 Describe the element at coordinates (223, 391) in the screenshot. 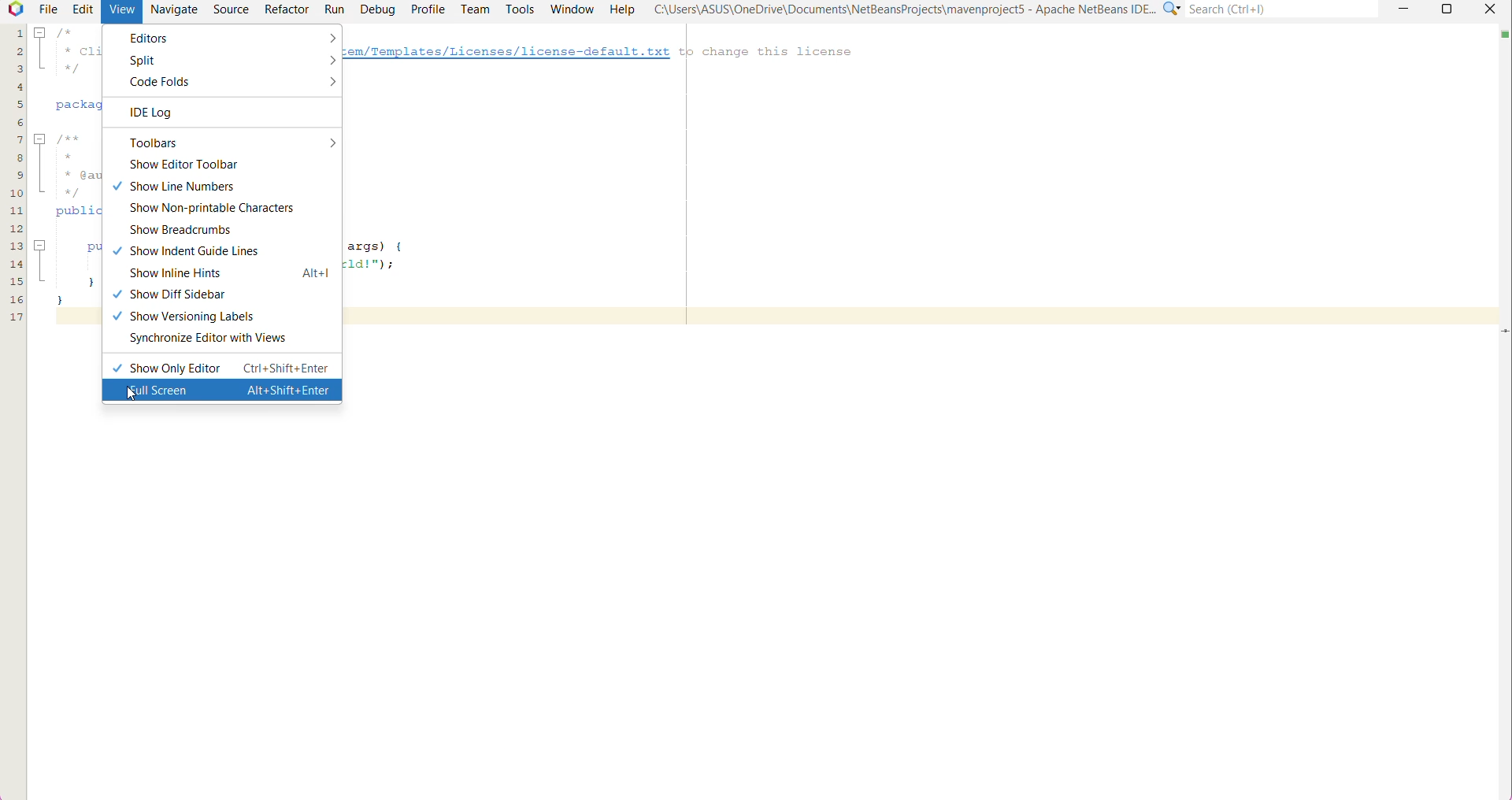

I see `Click to enter Full Screen mode` at that location.